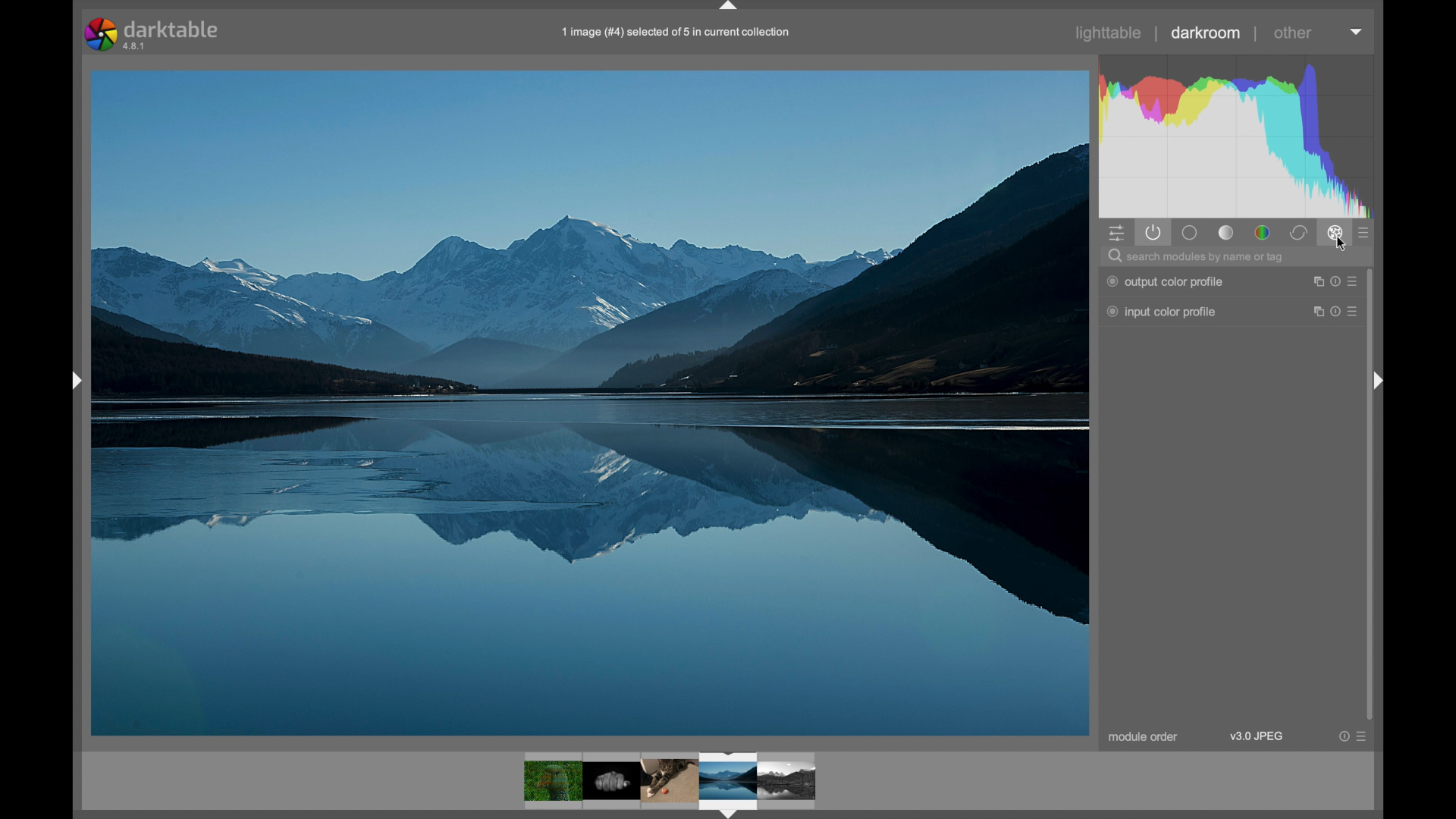  Describe the element at coordinates (1357, 33) in the screenshot. I see `dropdown menu` at that location.